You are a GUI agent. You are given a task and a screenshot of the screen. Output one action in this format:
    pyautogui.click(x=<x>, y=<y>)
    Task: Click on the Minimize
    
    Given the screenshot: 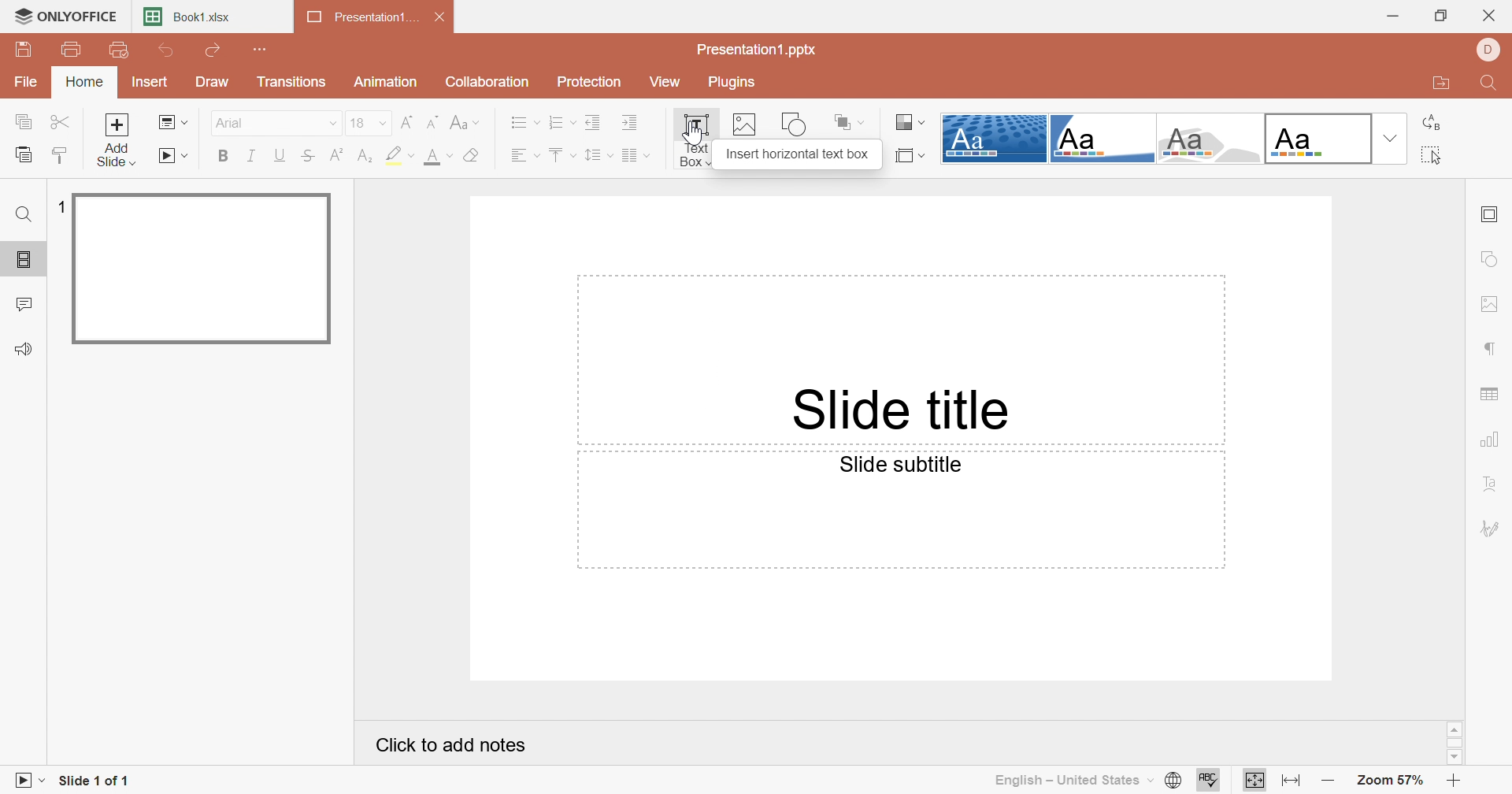 What is the action you would take?
    pyautogui.click(x=1394, y=13)
    